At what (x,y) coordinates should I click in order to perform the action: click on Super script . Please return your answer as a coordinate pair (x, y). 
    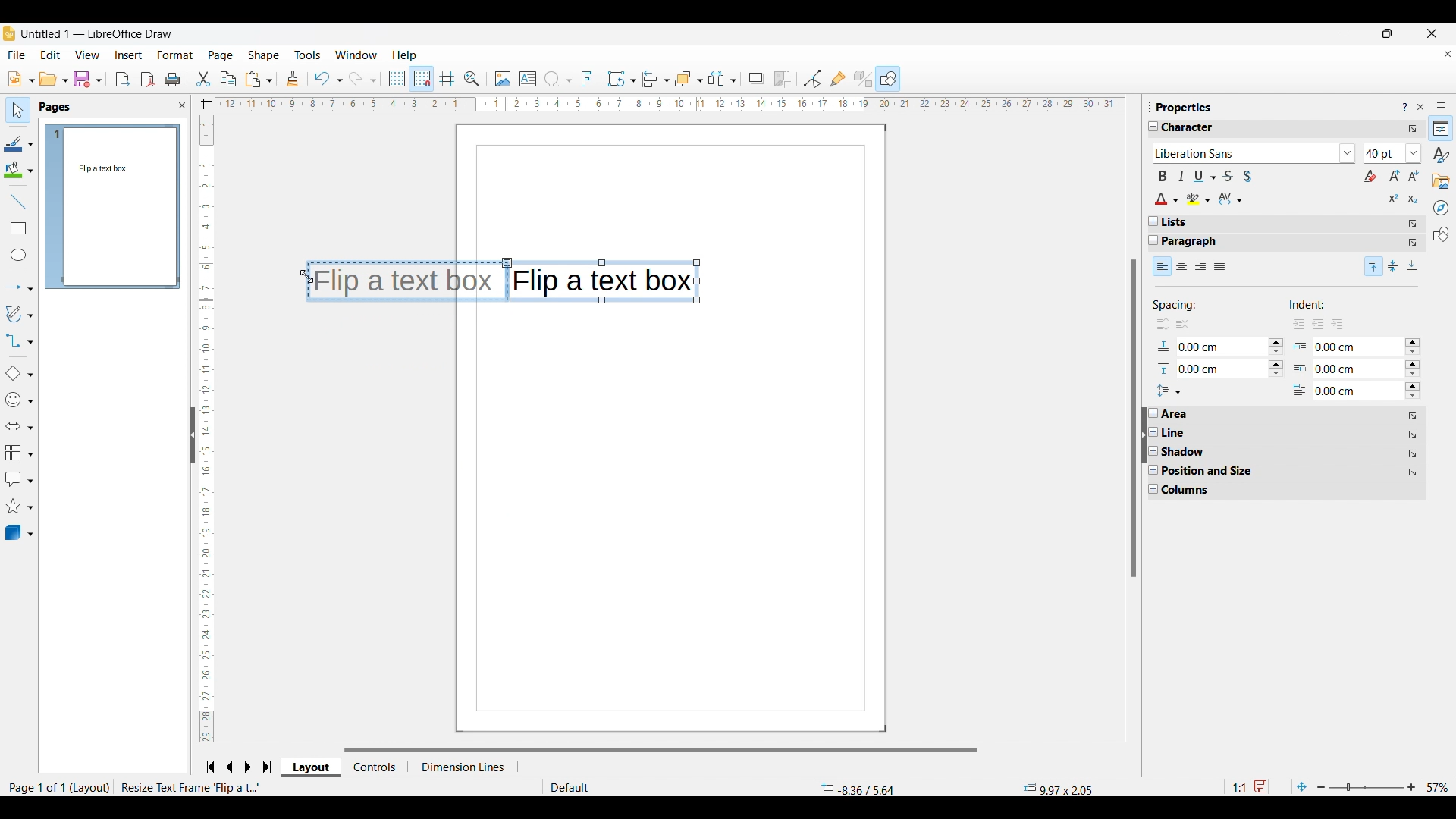
    Looking at the image, I should click on (1395, 198).